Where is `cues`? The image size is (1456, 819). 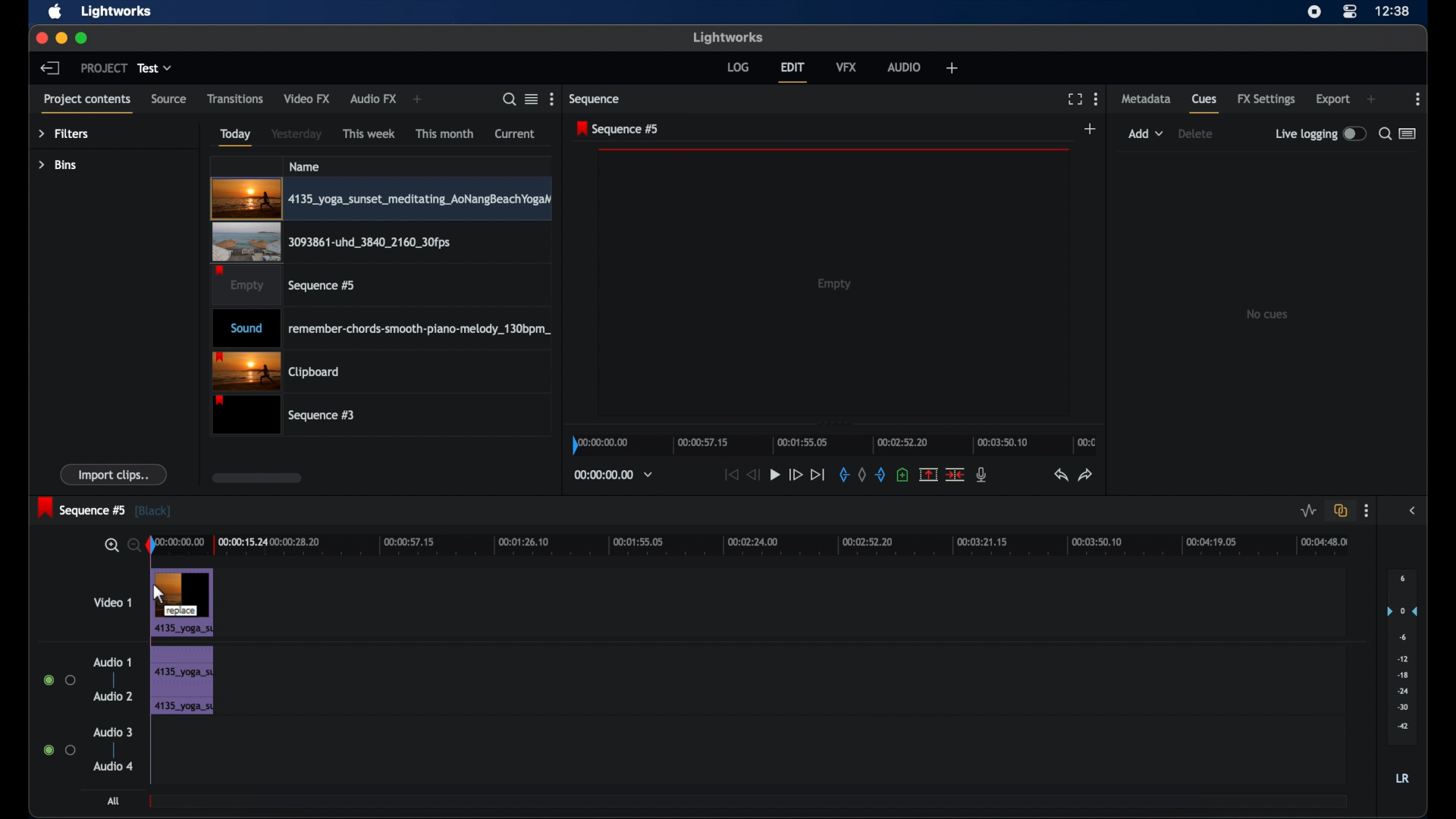 cues is located at coordinates (1206, 103).